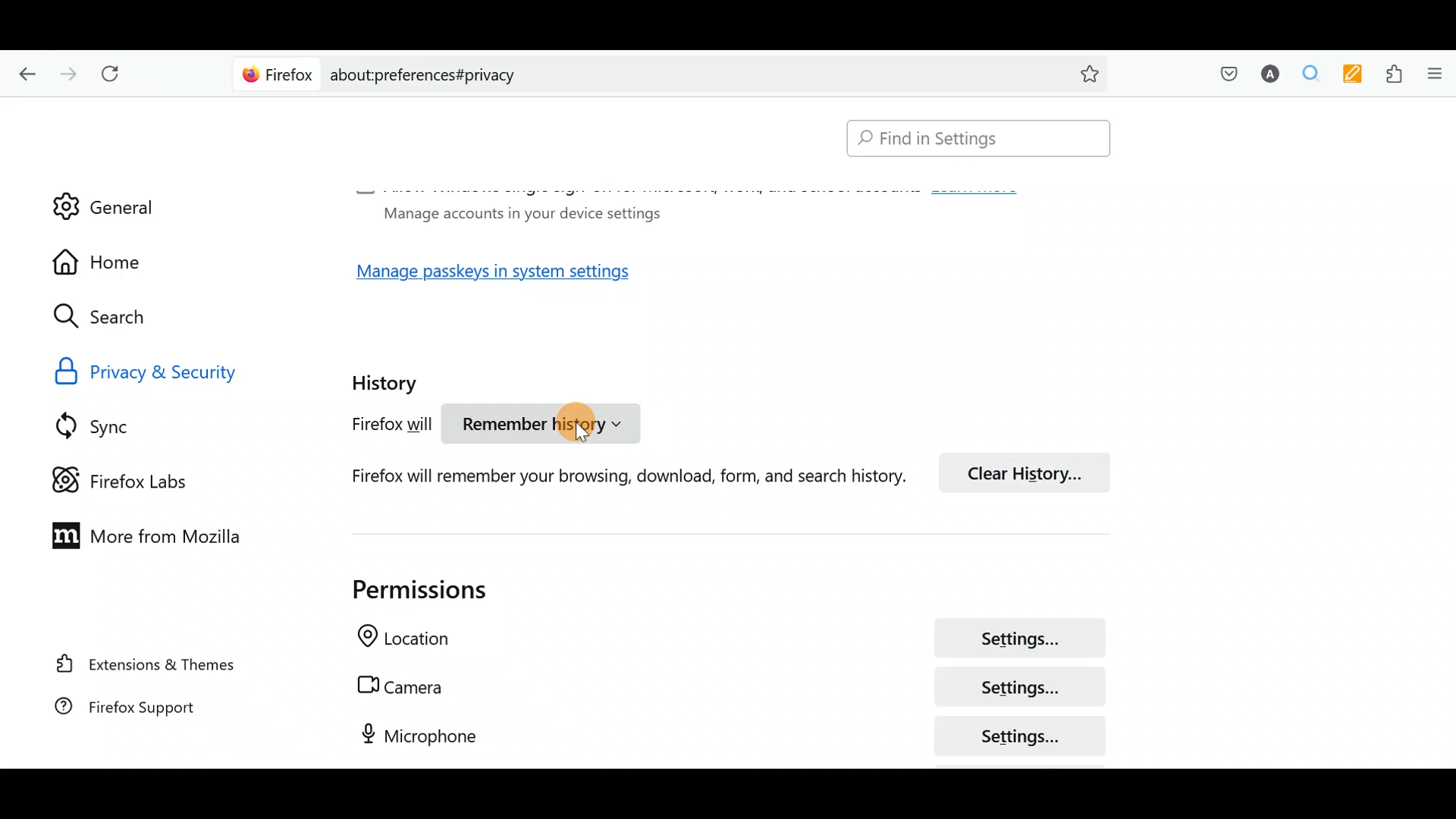 This screenshot has height=819, width=1456. I want to click on Account name, so click(1266, 76).